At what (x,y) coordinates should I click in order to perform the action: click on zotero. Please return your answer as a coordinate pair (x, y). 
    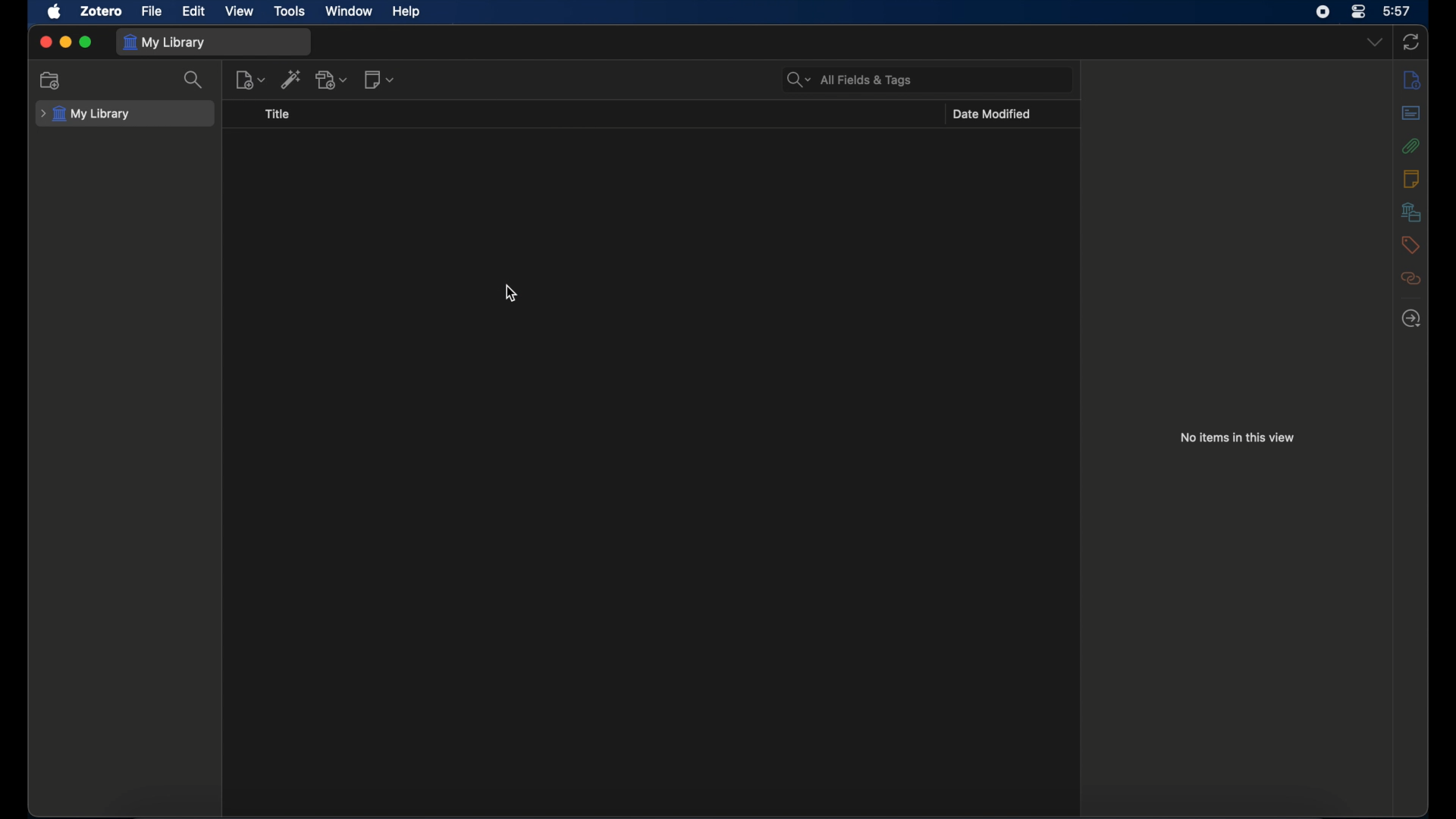
    Looking at the image, I should click on (100, 11).